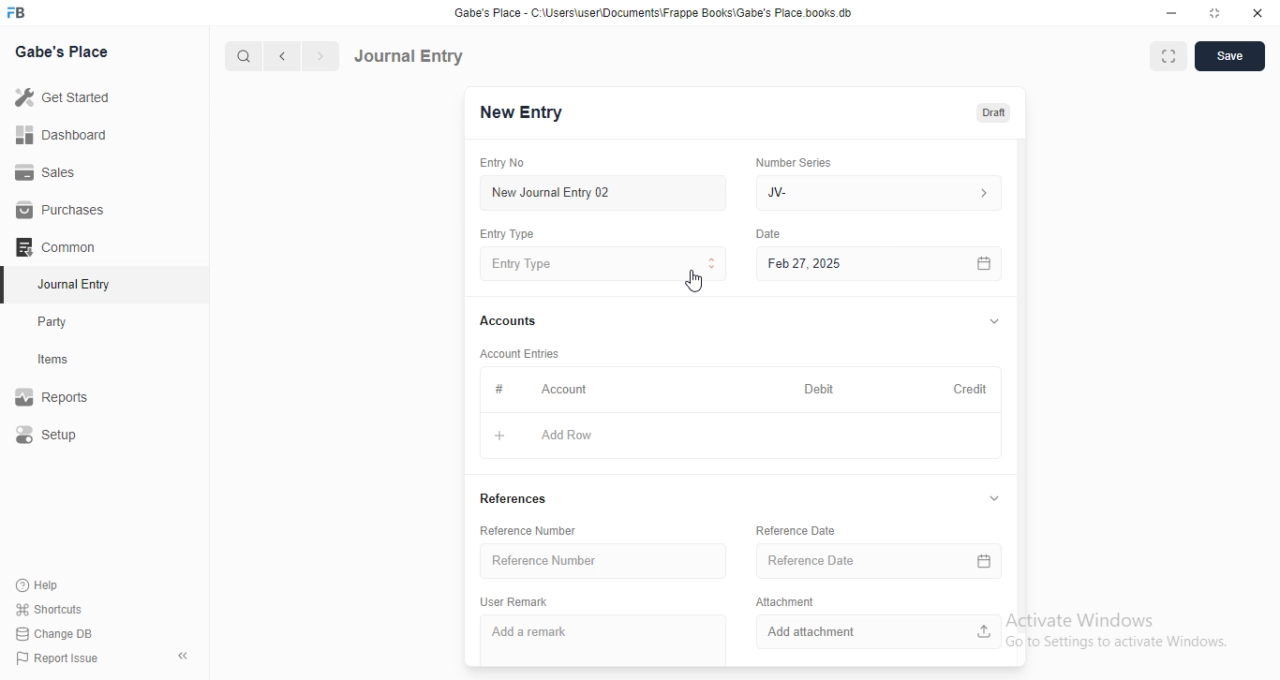  What do you see at coordinates (795, 530) in the screenshot?
I see `‘Reference Date` at bounding box center [795, 530].